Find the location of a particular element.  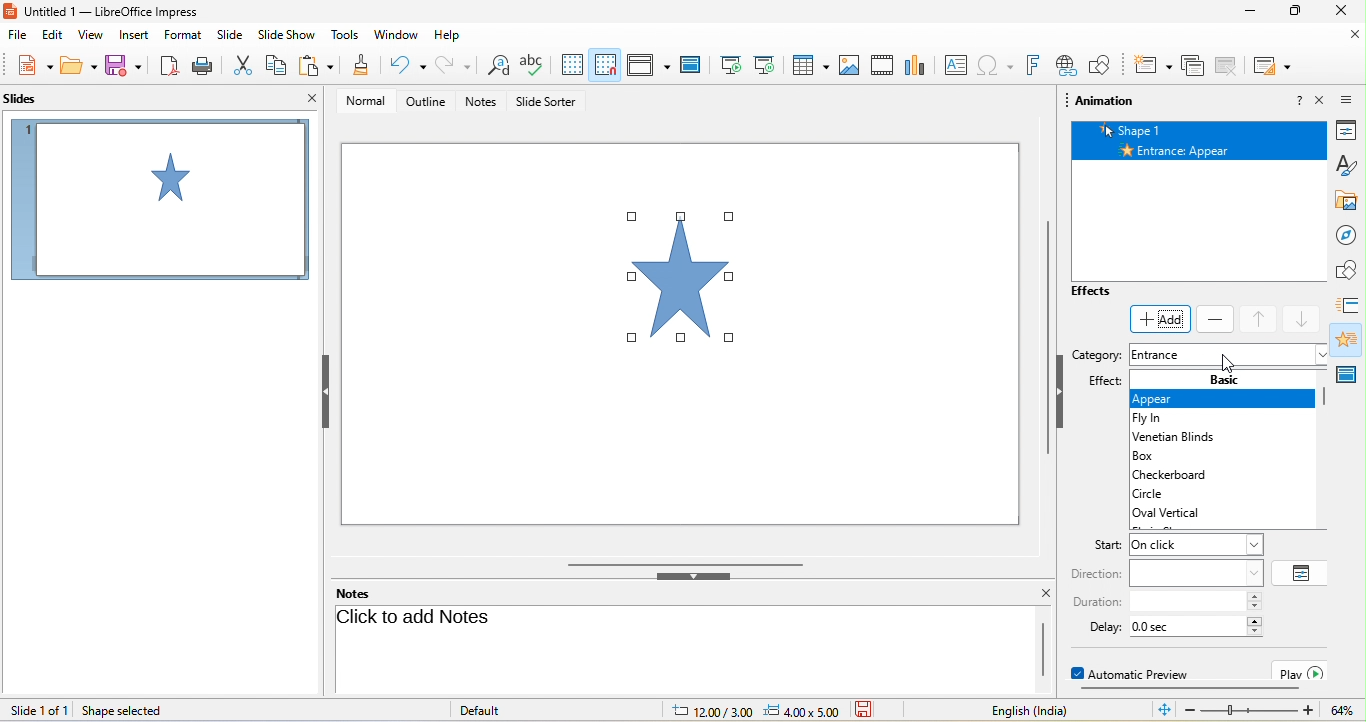

normal is located at coordinates (369, 104).